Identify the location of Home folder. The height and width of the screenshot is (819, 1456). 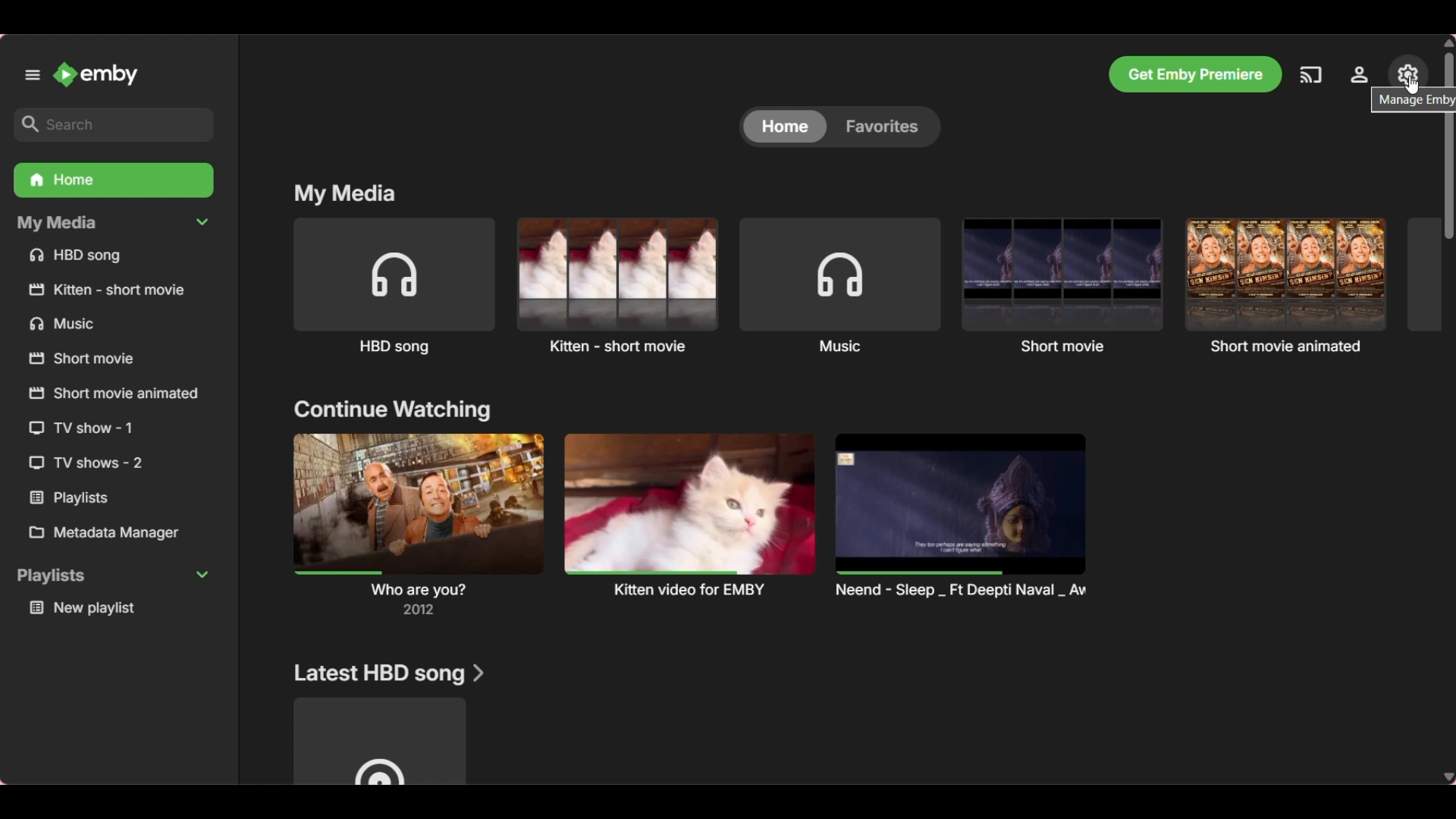
(115, 180).